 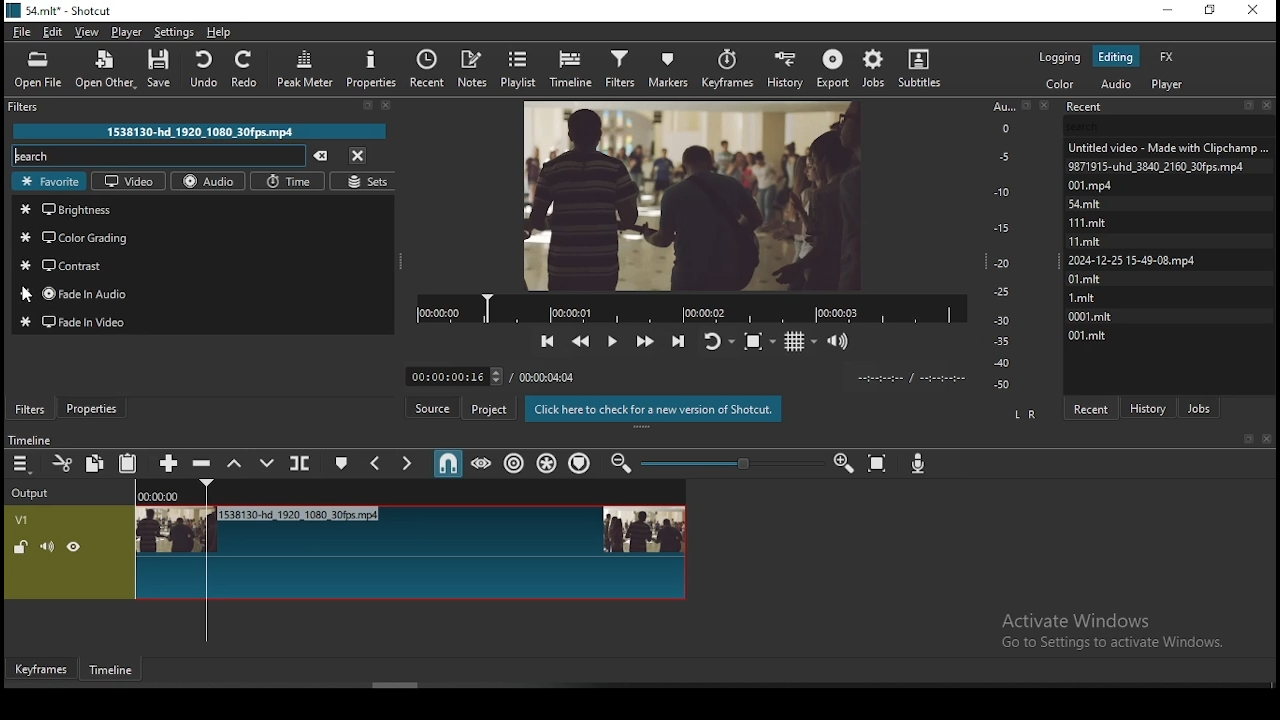 I want to click on videos, so click(x=128, y=182).